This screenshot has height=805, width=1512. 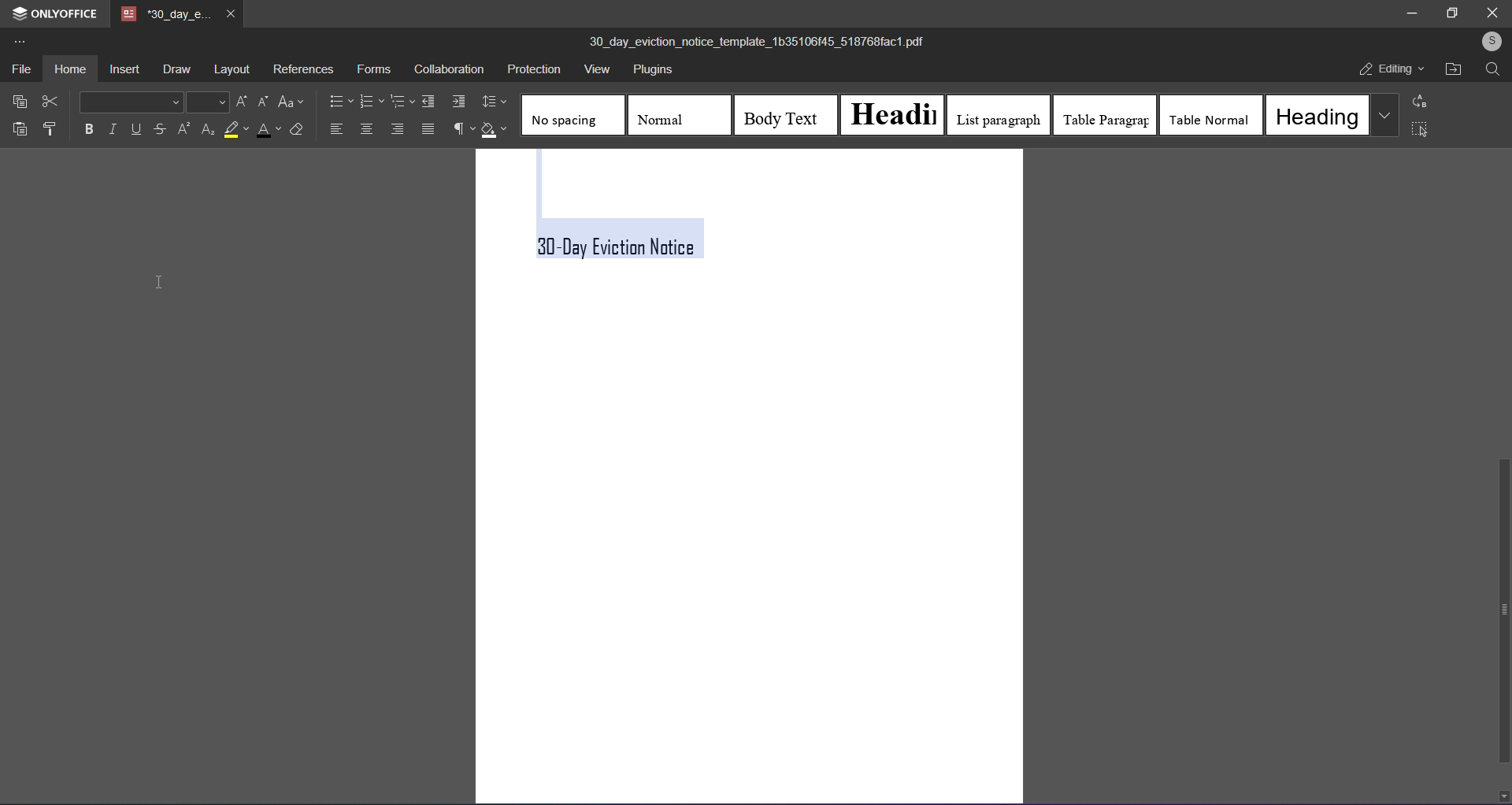 I want to click on close tab, so click(x=232, y=16).